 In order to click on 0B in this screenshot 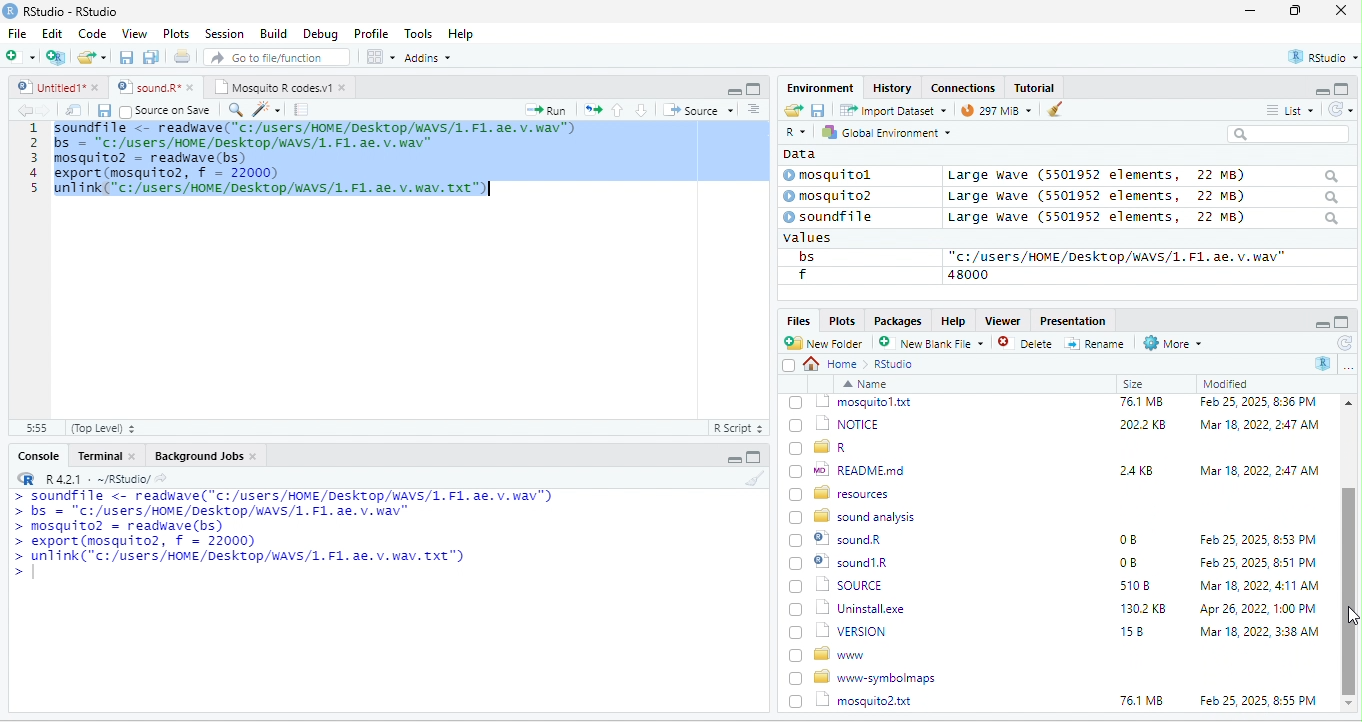, I will do `click(1127, 659)`.